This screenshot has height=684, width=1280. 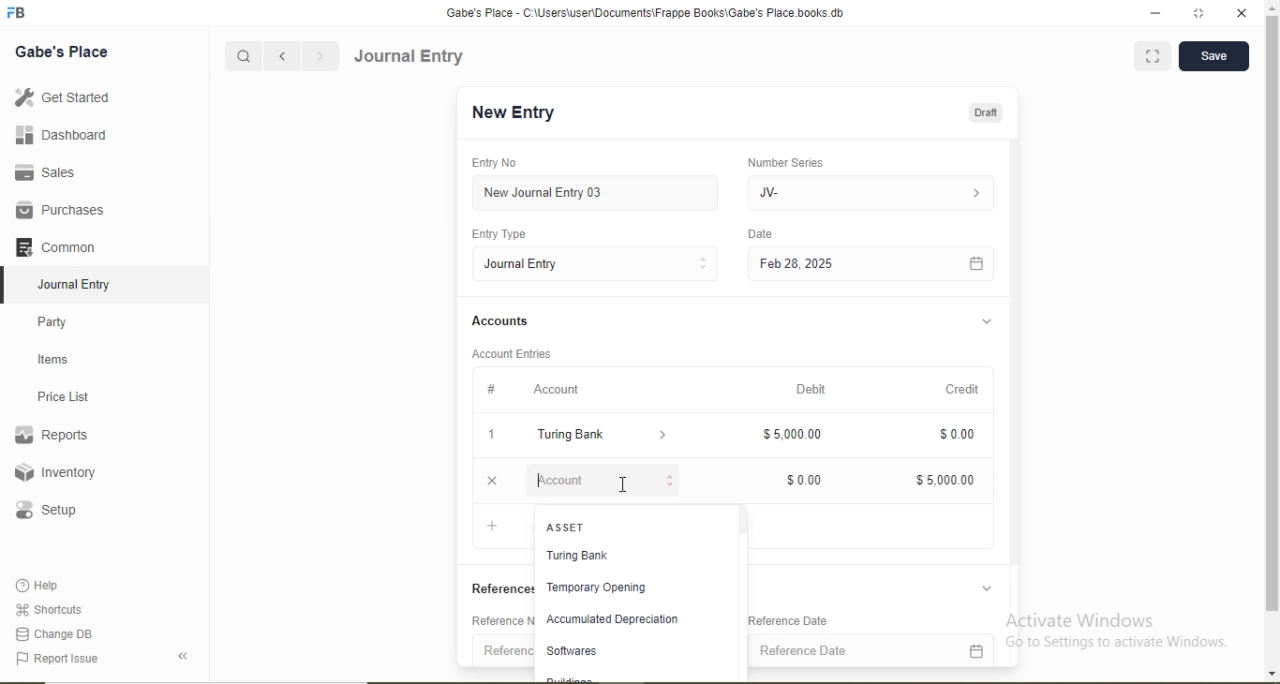 I want to click on ‘Gabe's Place - C:\Users\useriDocuments\Frappe Books\Gabe's Place books db, so click(x=652, y=13).